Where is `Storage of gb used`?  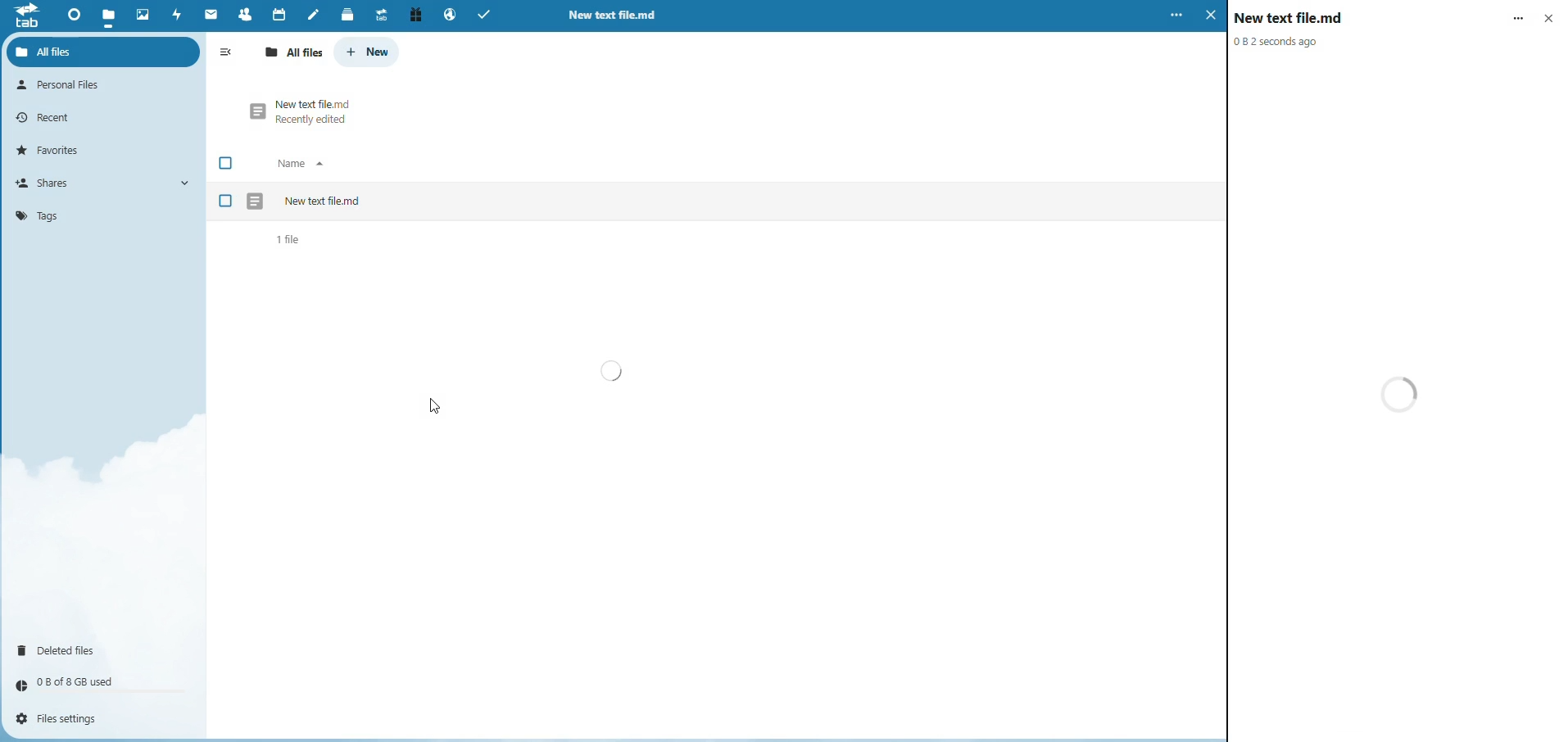
Storage of gb used is located at coordinates (79, 681).